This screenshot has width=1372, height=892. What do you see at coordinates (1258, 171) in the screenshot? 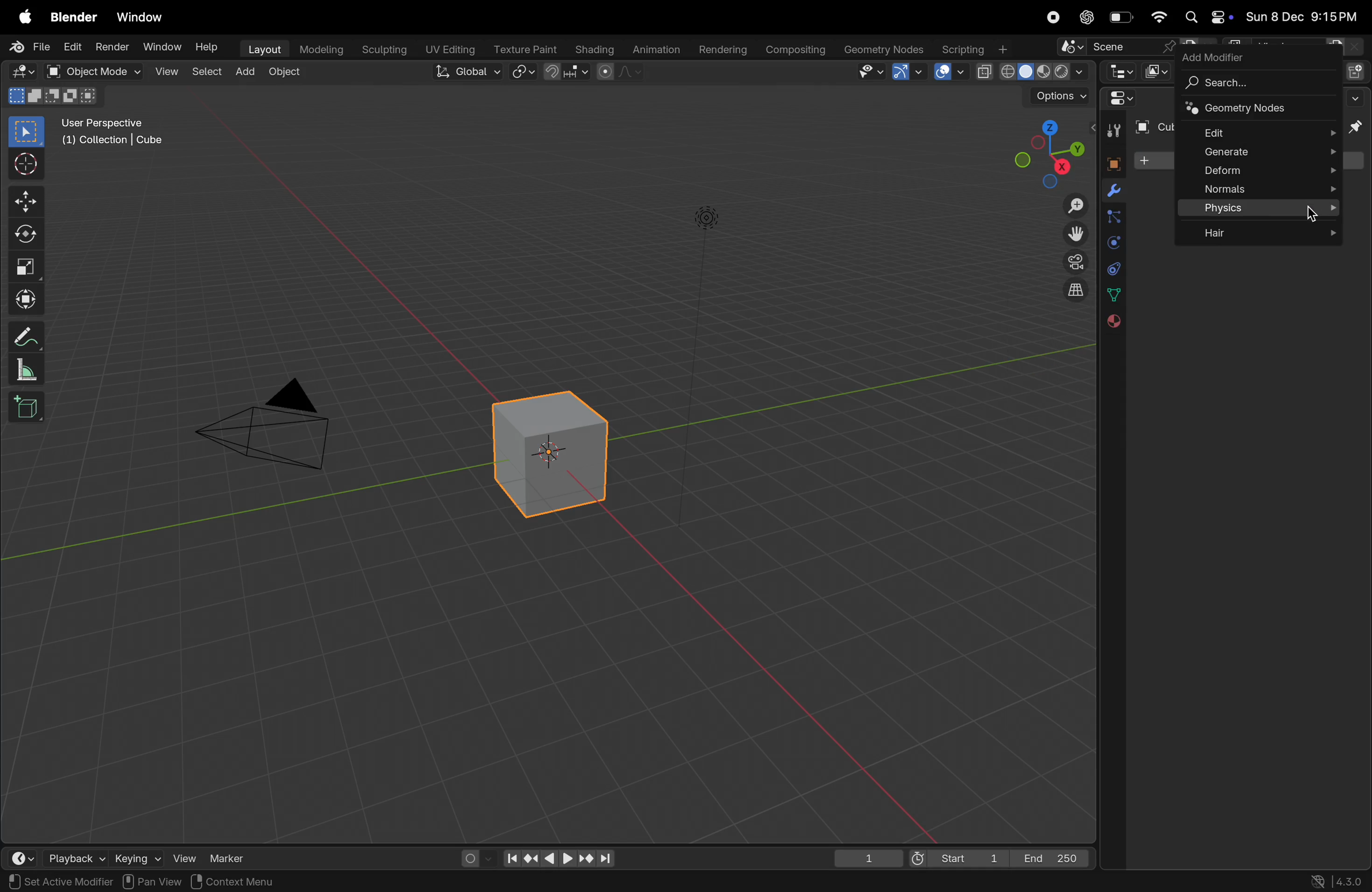
I see `Deform` at bounding box center [1258, 171].